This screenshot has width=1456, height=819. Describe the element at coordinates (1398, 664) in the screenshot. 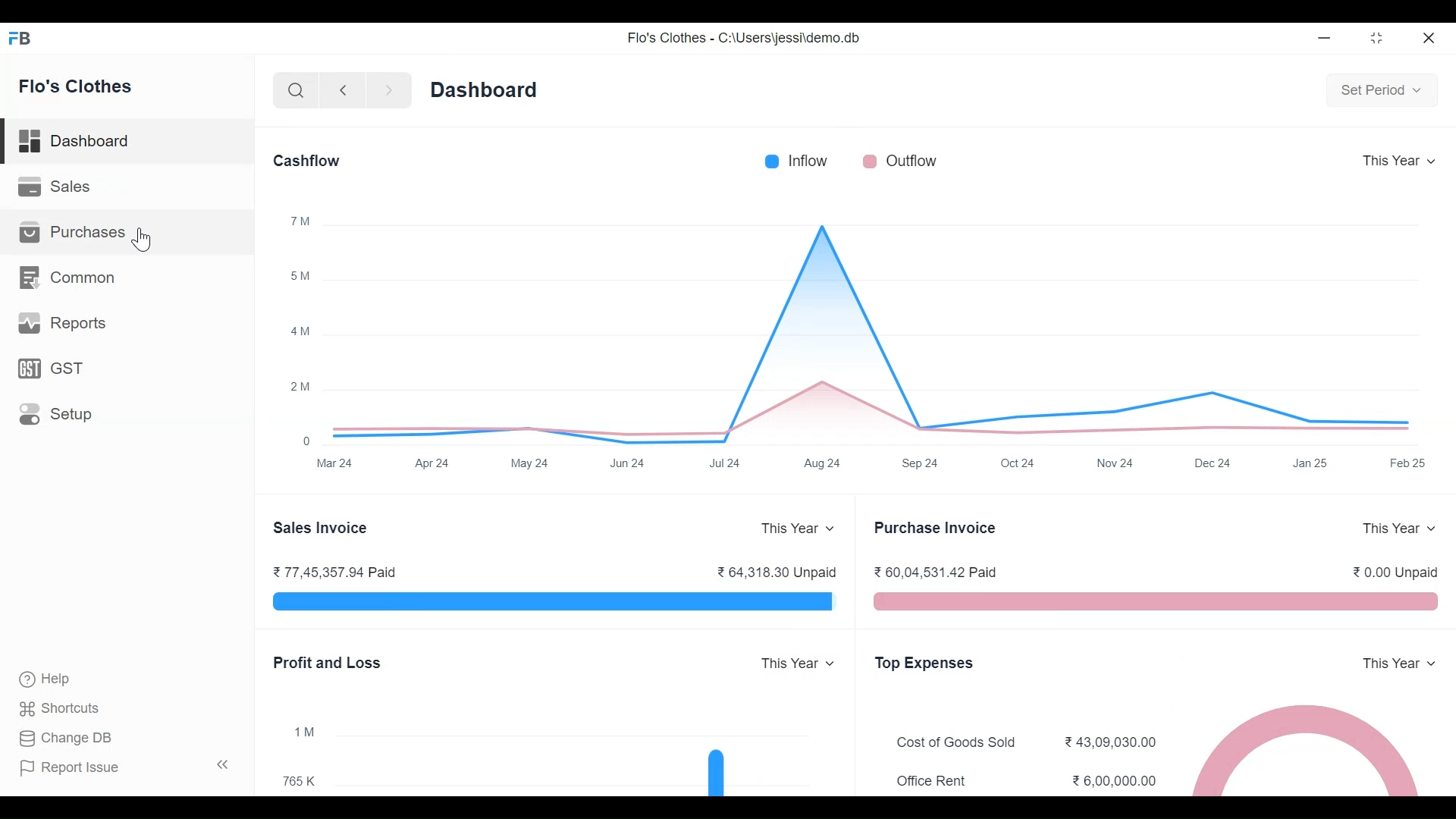

I see `This Year` at that location.